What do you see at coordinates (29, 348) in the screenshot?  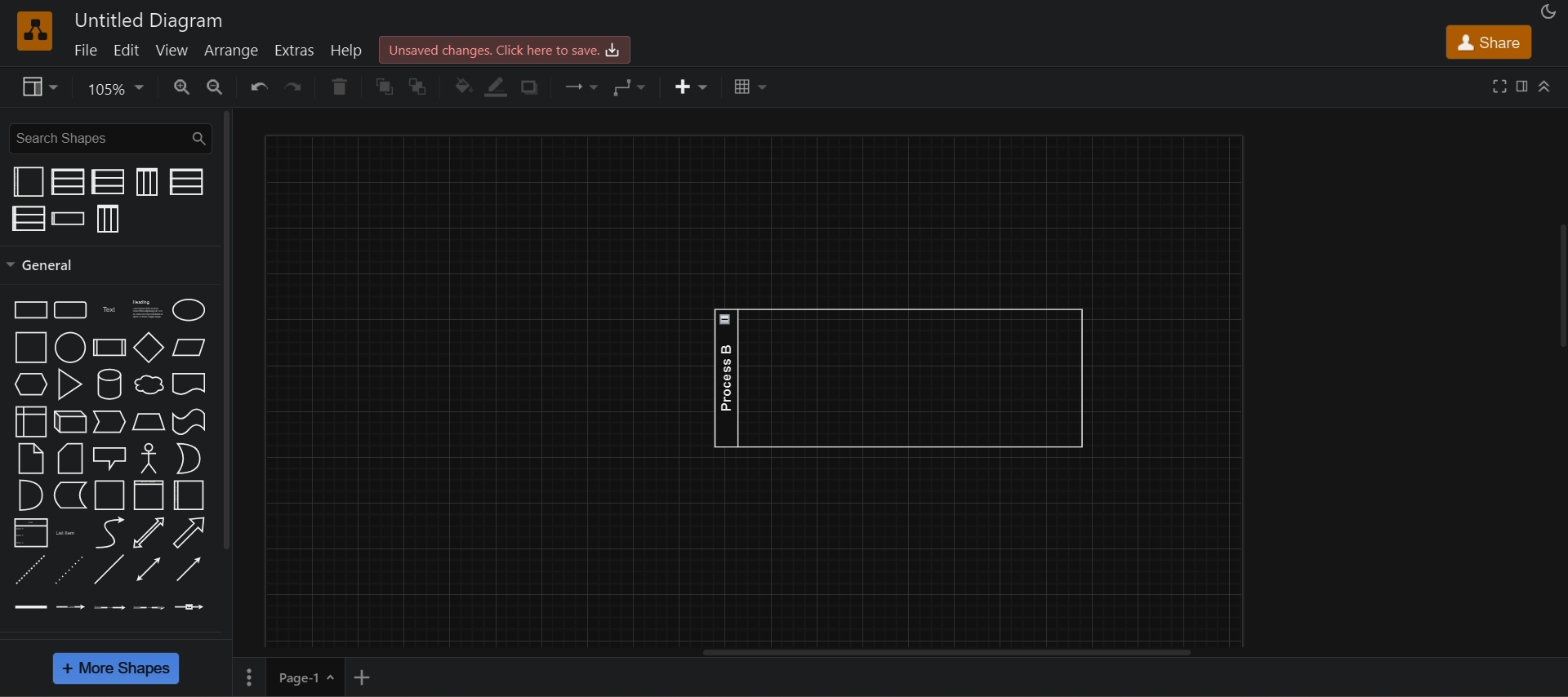 I see `square` at bounding box center [29, 348].